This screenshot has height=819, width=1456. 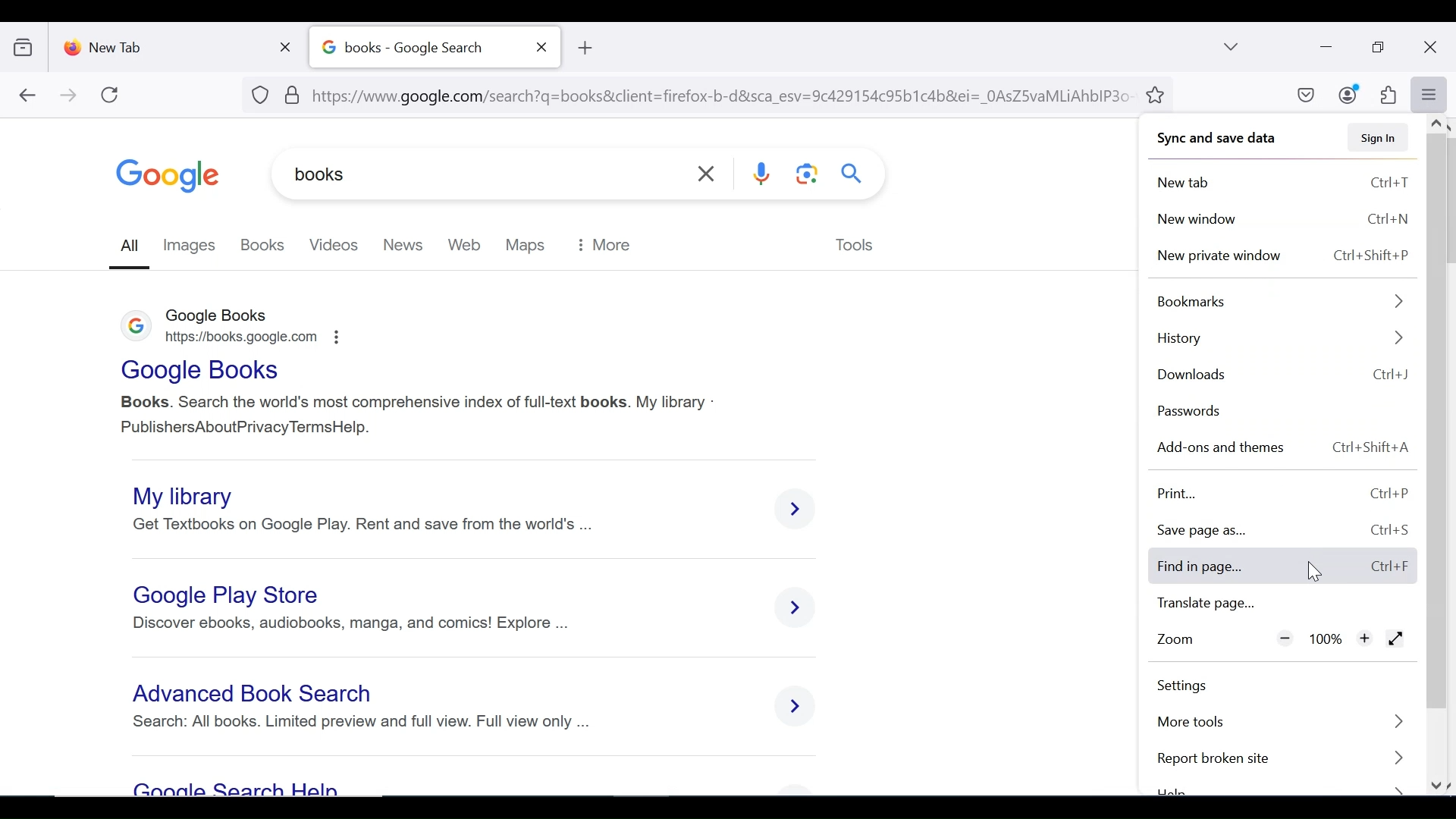 I want to click on get the textbooks on Google Play. Rent and save from the world's finest, so click(x=369, y=525).